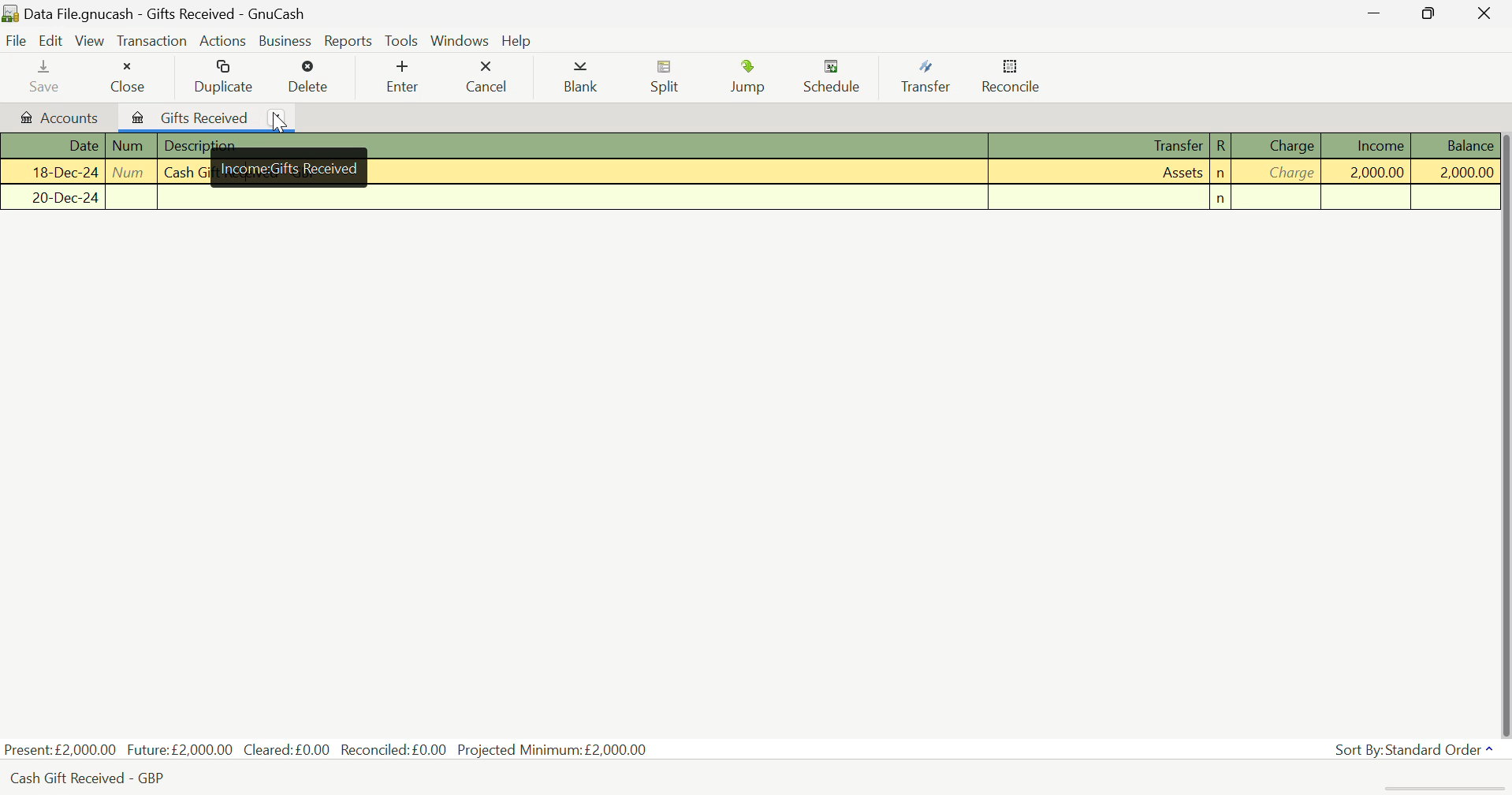 This screenshot has width=1512, height=795. What do you see at coordinates (556, 748) in the screenshot?
I see `Projected Minimum` at bounding box center [556, 748].